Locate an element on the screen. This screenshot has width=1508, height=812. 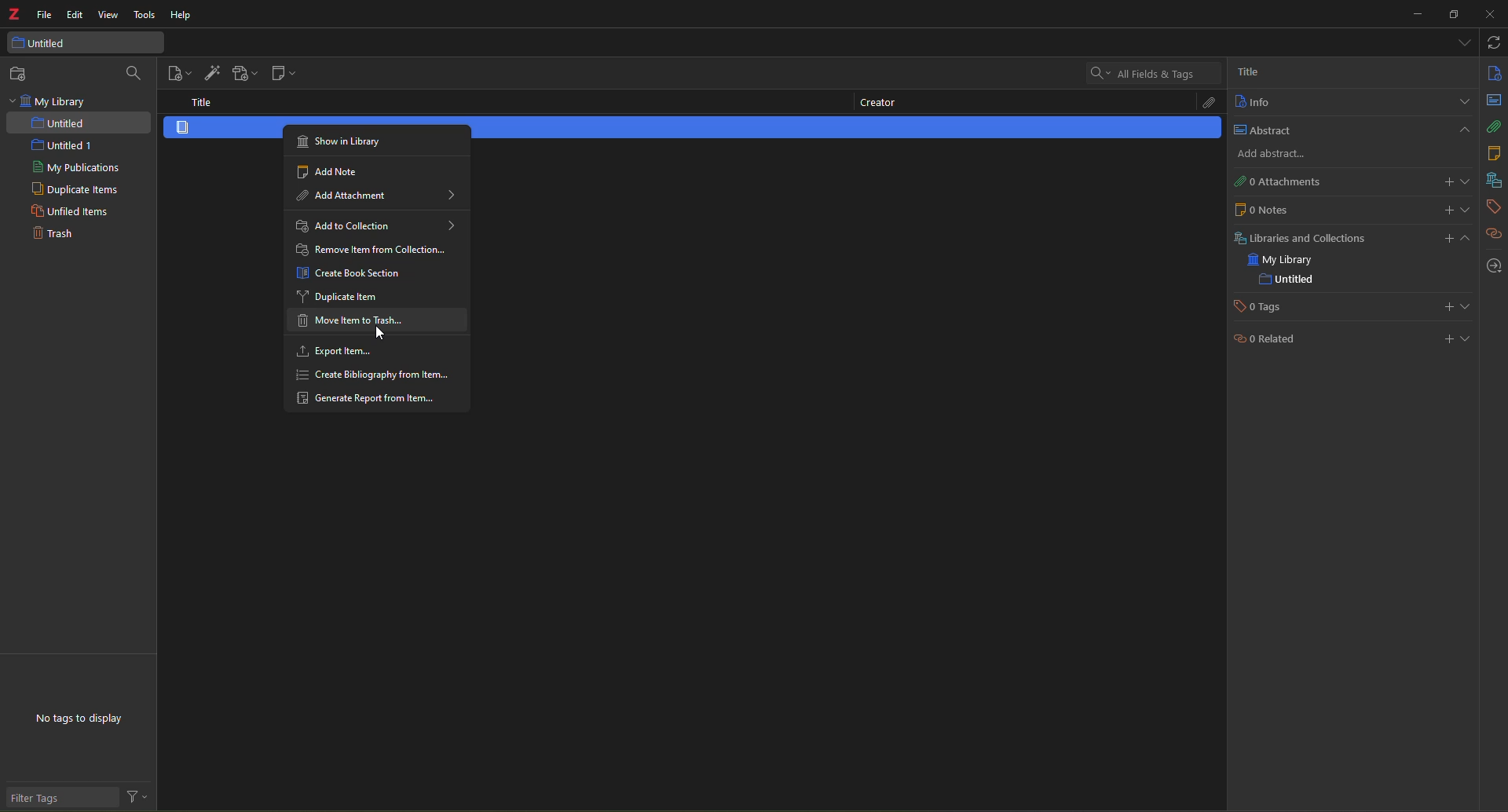
trash is located at coordinates (51, 235).